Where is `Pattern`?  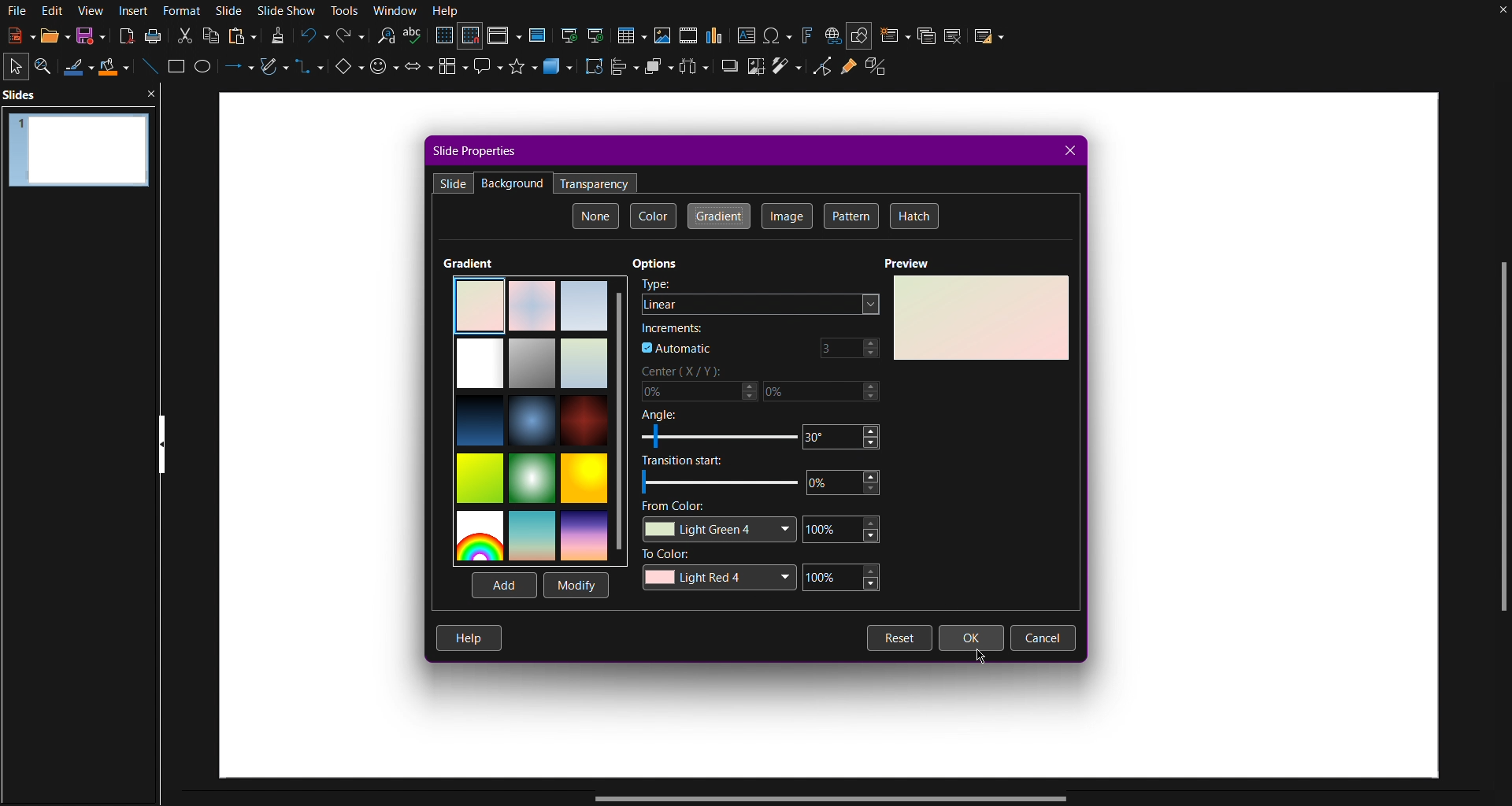 Pattern is located at coordinates (850, 216).